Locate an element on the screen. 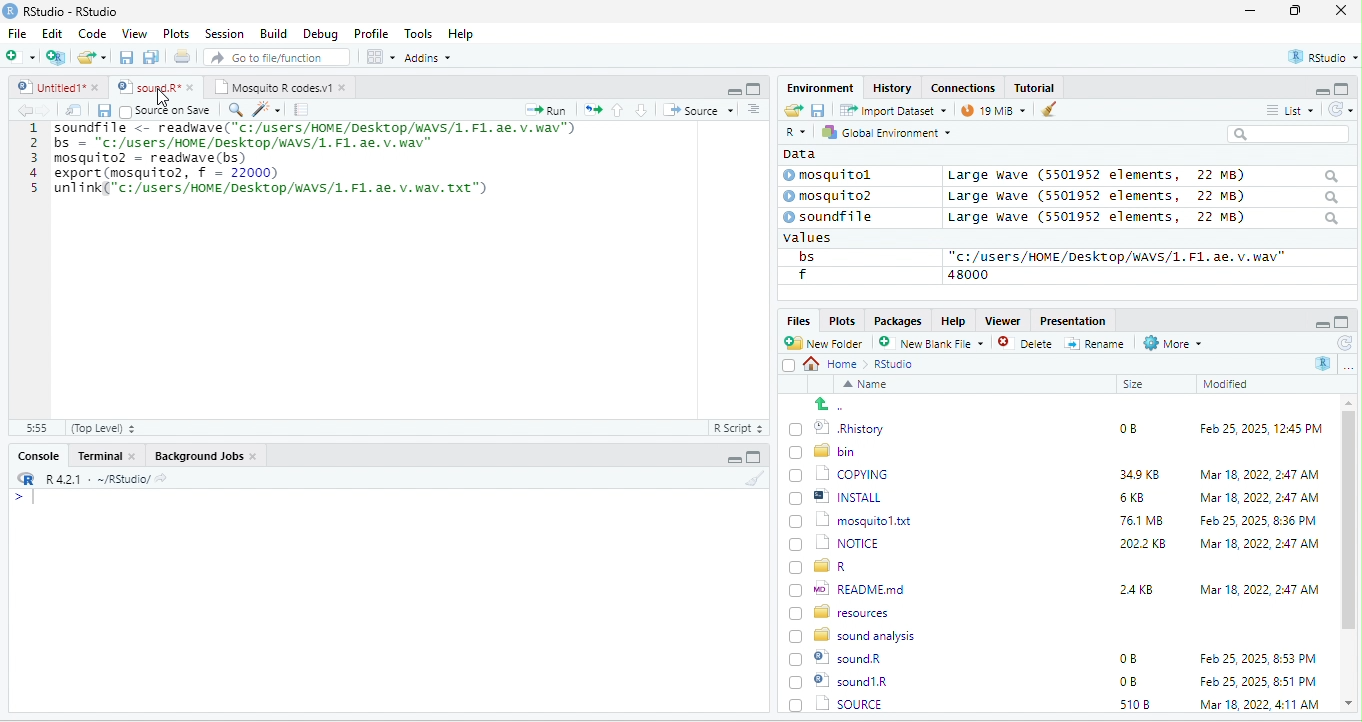  + Source + is located at coordinates (698, 109).